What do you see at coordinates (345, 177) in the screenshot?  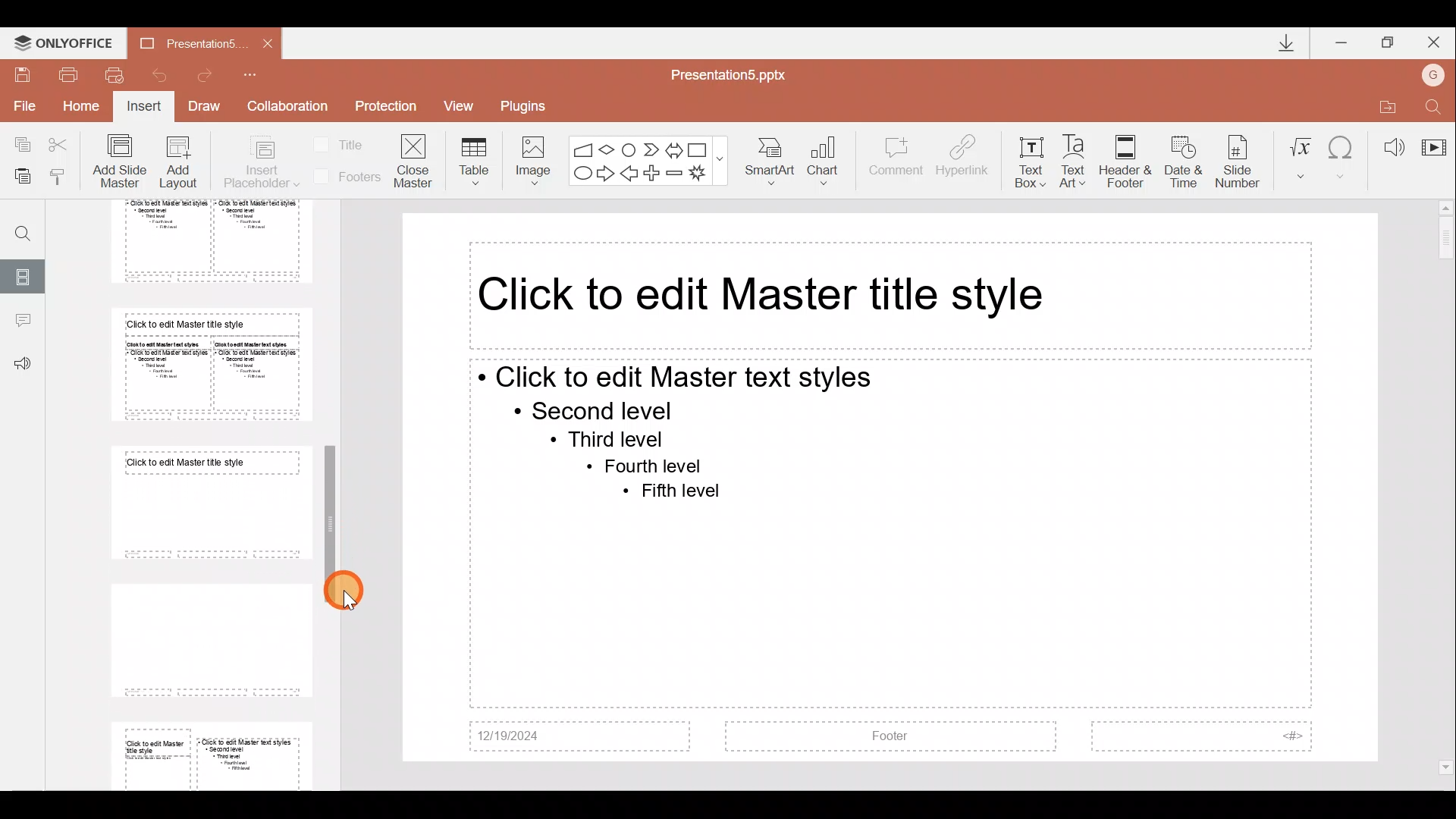 I see `Footers` at bounding box center [345, 177].